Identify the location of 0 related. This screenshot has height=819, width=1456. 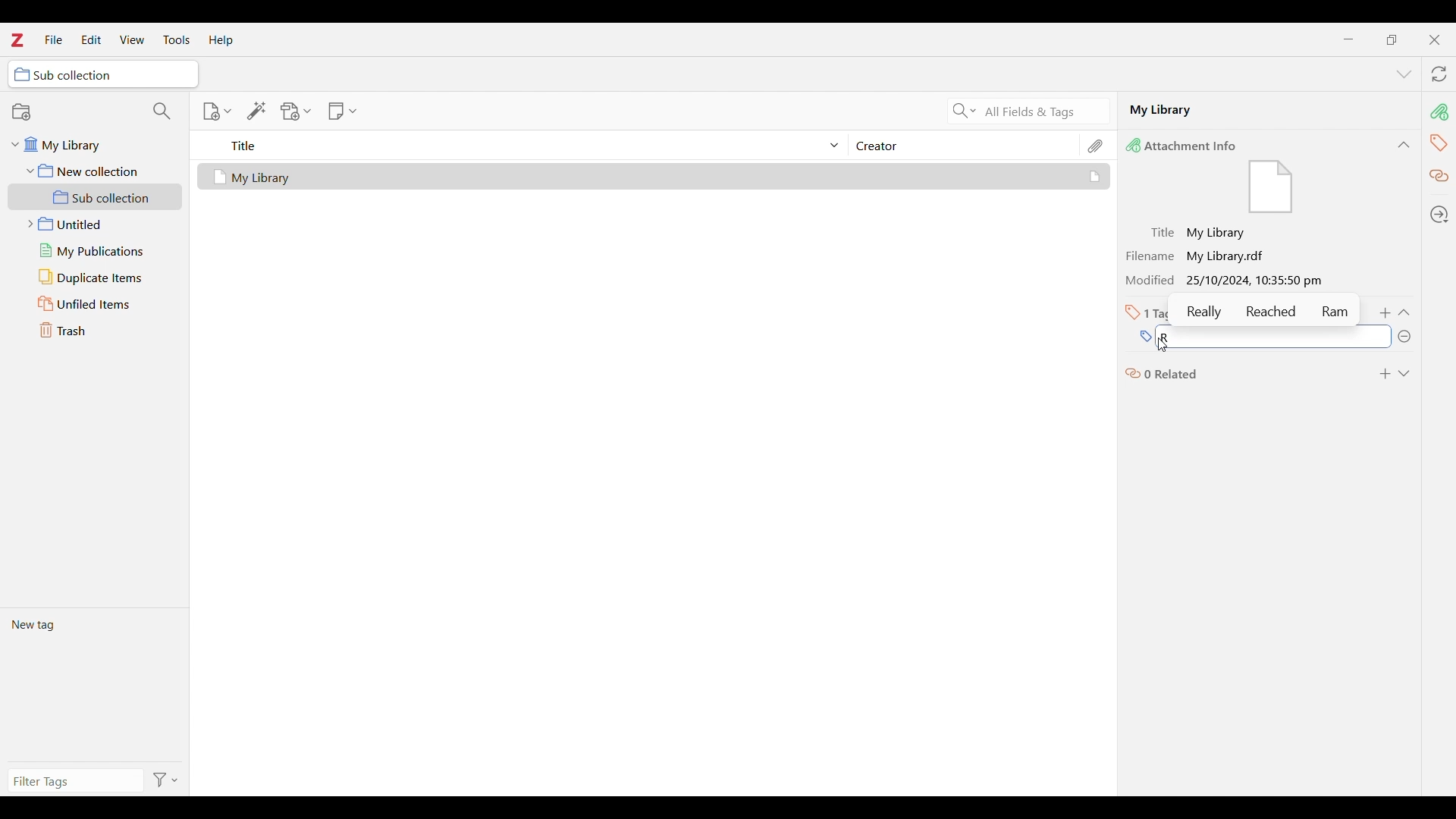
(1163, 372).